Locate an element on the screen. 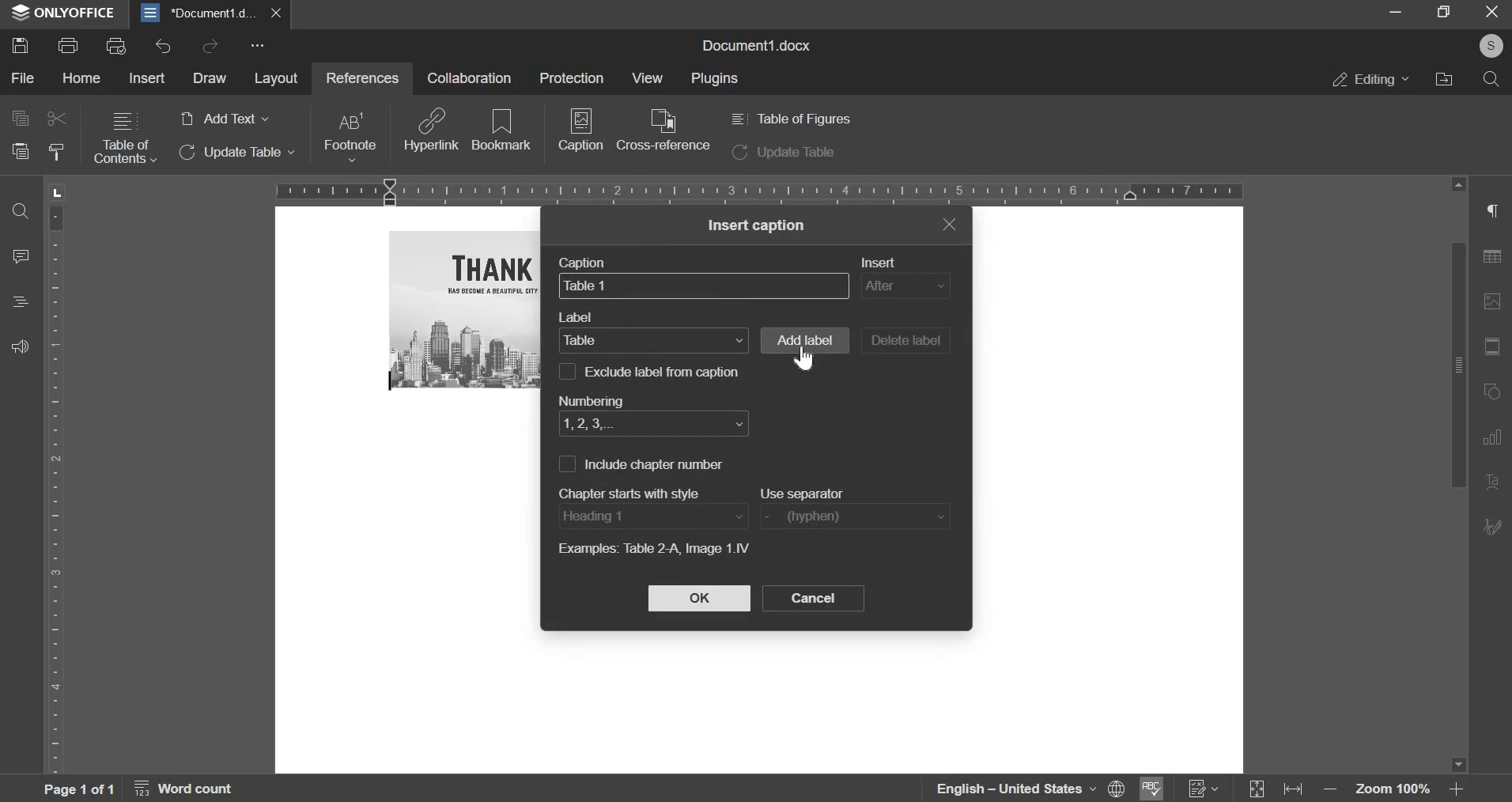  update table is located at coordinates (784, 153).